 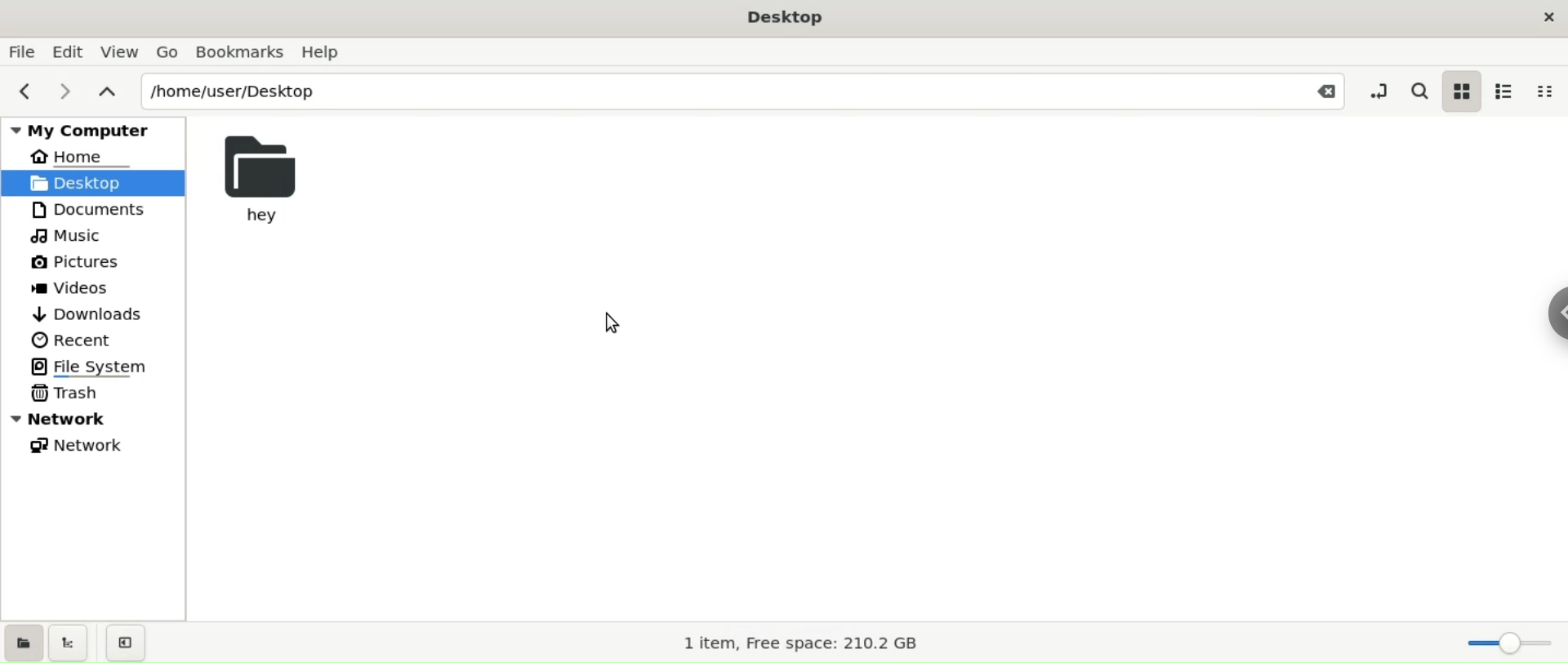 I want to click on hey, so click(x=277, y=177).